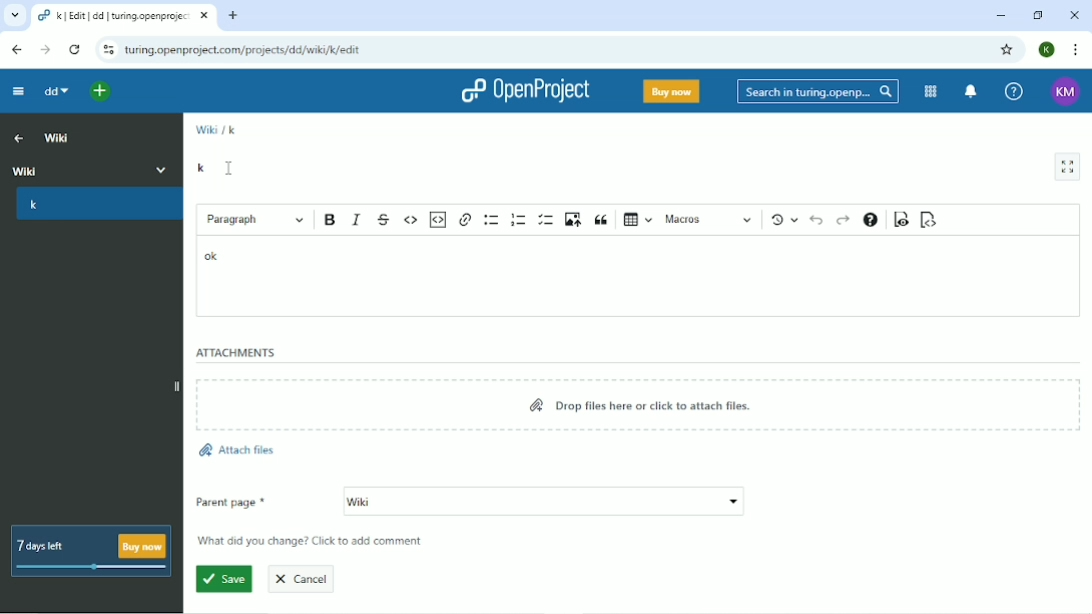  I want to click on Expand, so click(174, 382).